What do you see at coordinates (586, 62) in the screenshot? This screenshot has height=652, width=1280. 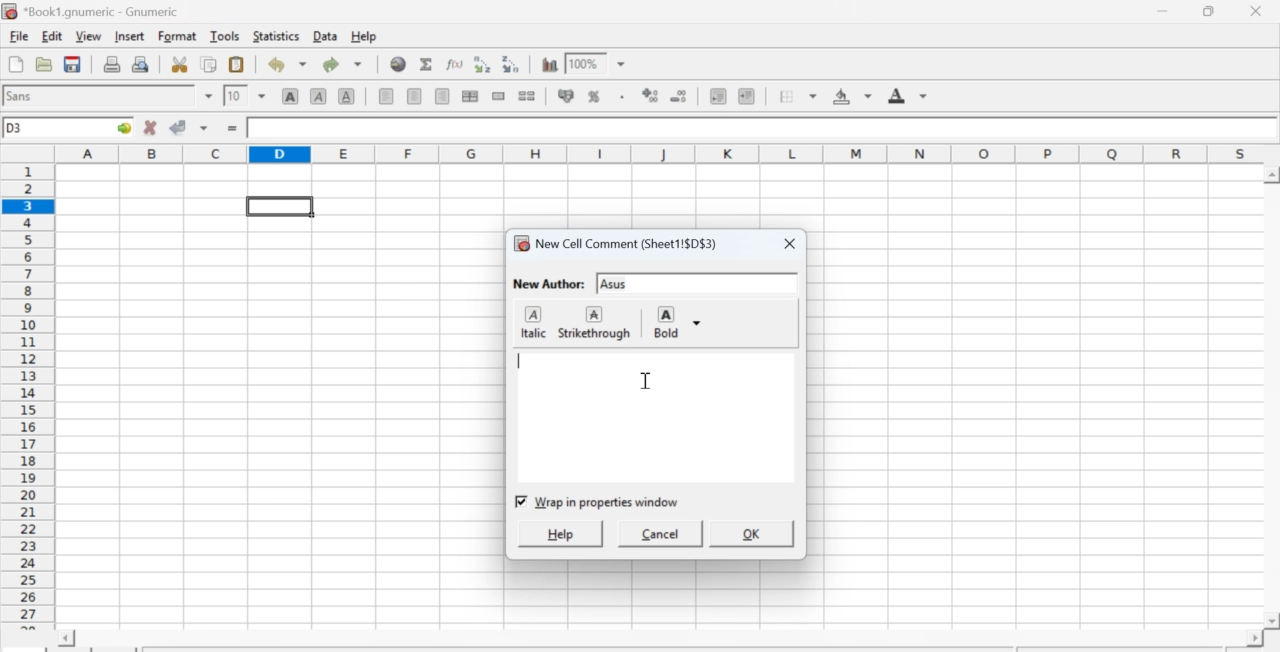 I see `Zoom` at bounding box center [586, 62].